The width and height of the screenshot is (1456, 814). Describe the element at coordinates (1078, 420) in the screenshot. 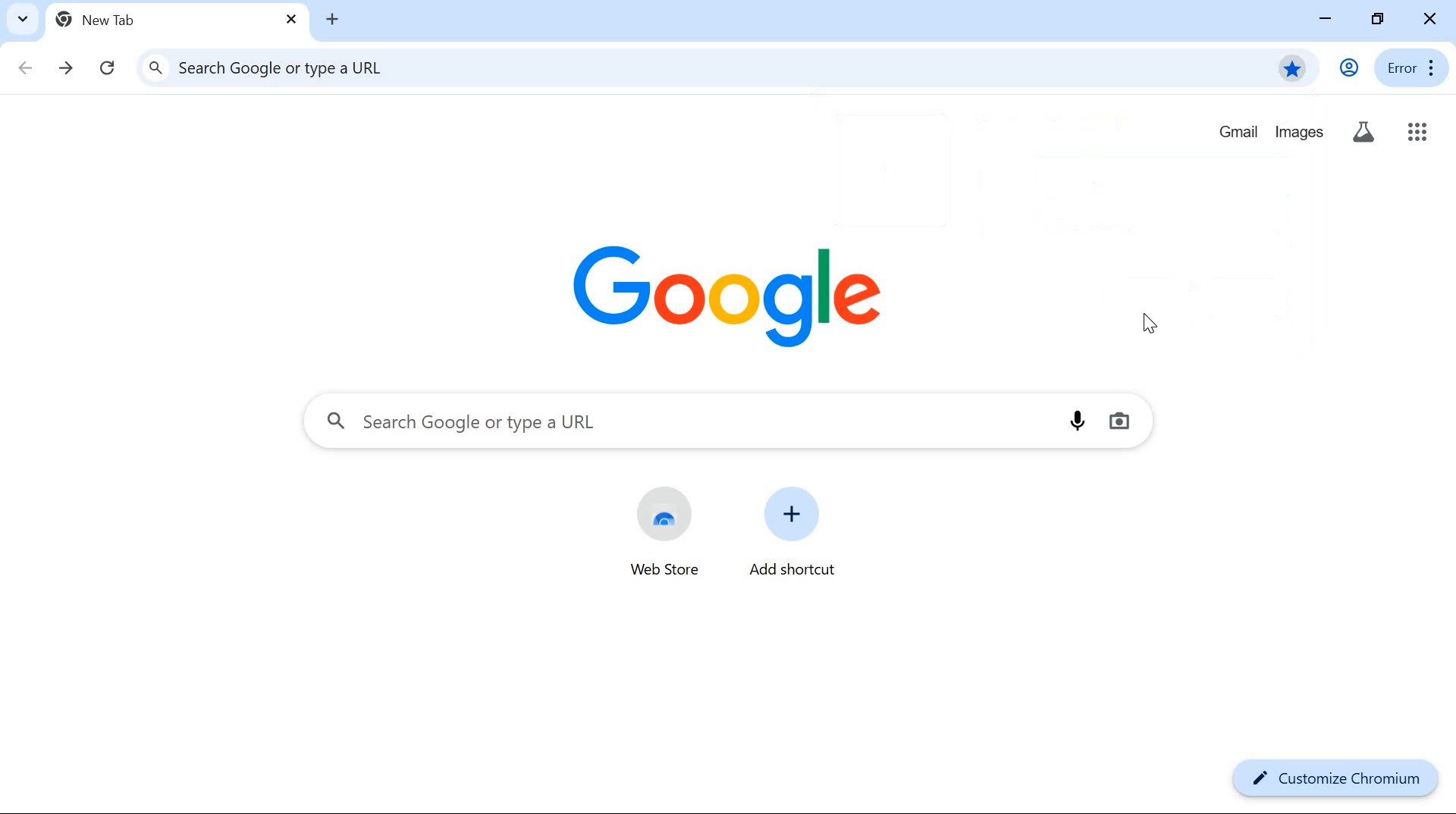

I see `voice search` at that location.